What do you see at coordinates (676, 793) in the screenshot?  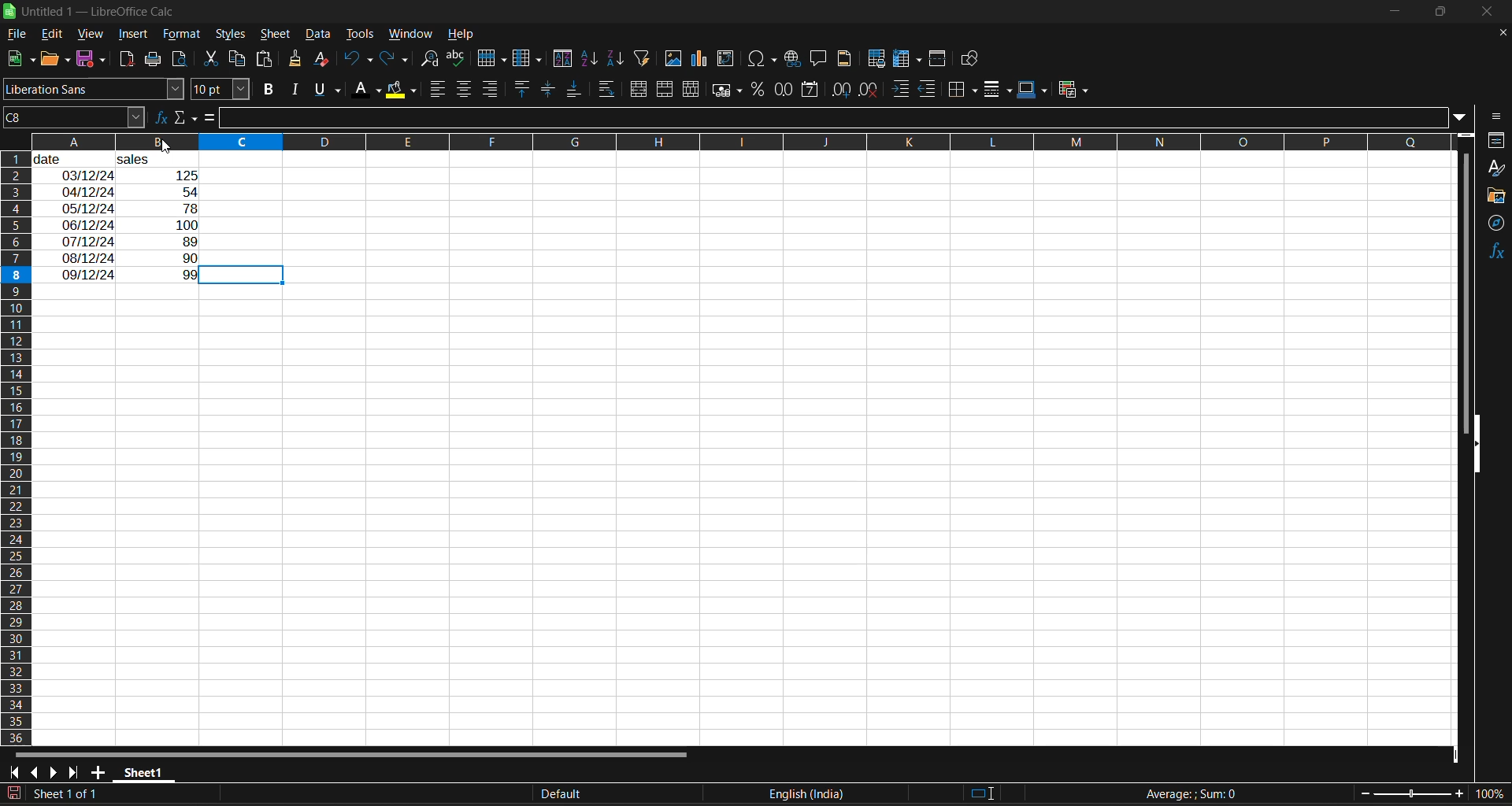 I see `text language` at bounding box center [676, 793].